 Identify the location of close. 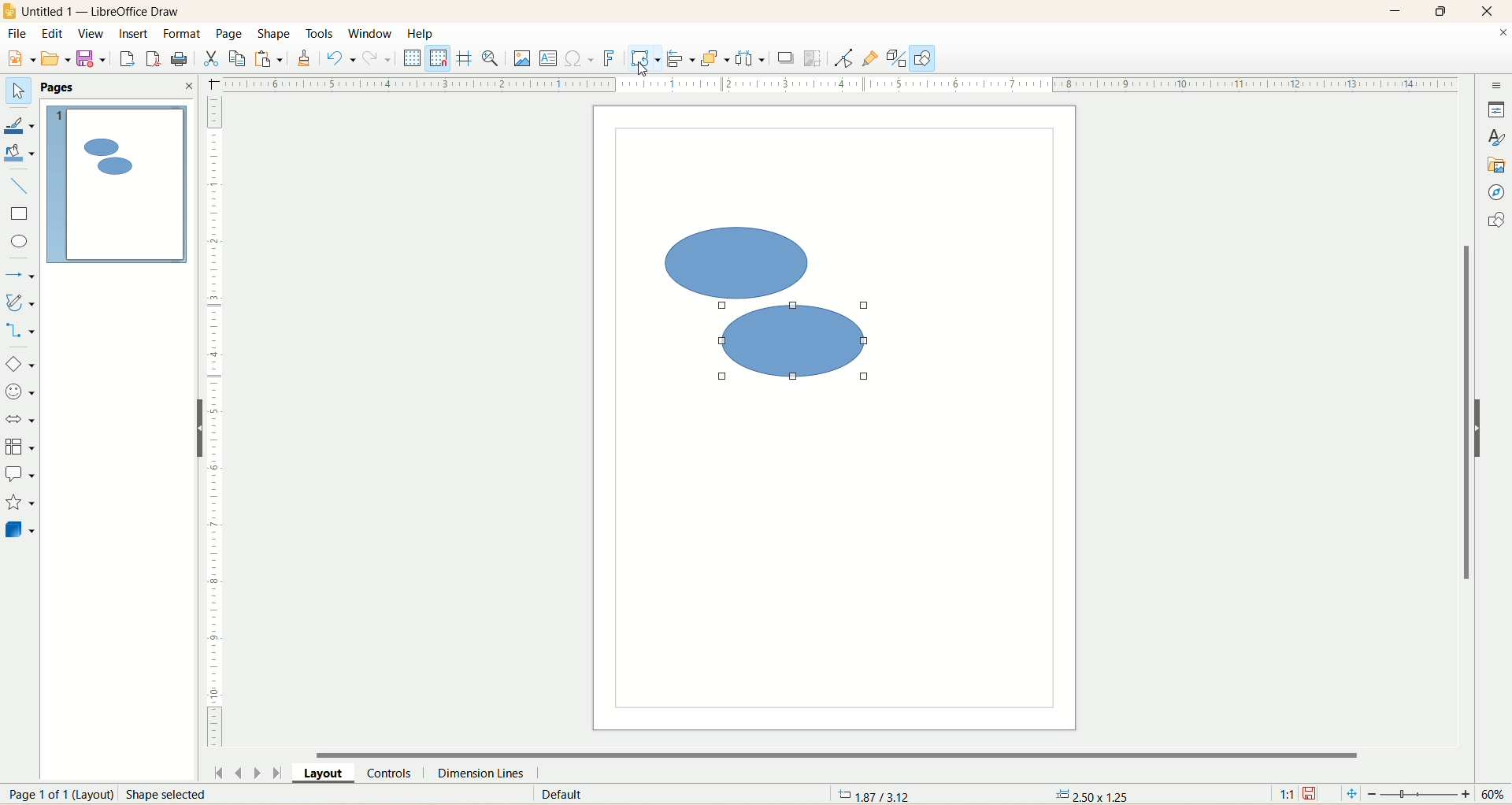
(1494, 10).